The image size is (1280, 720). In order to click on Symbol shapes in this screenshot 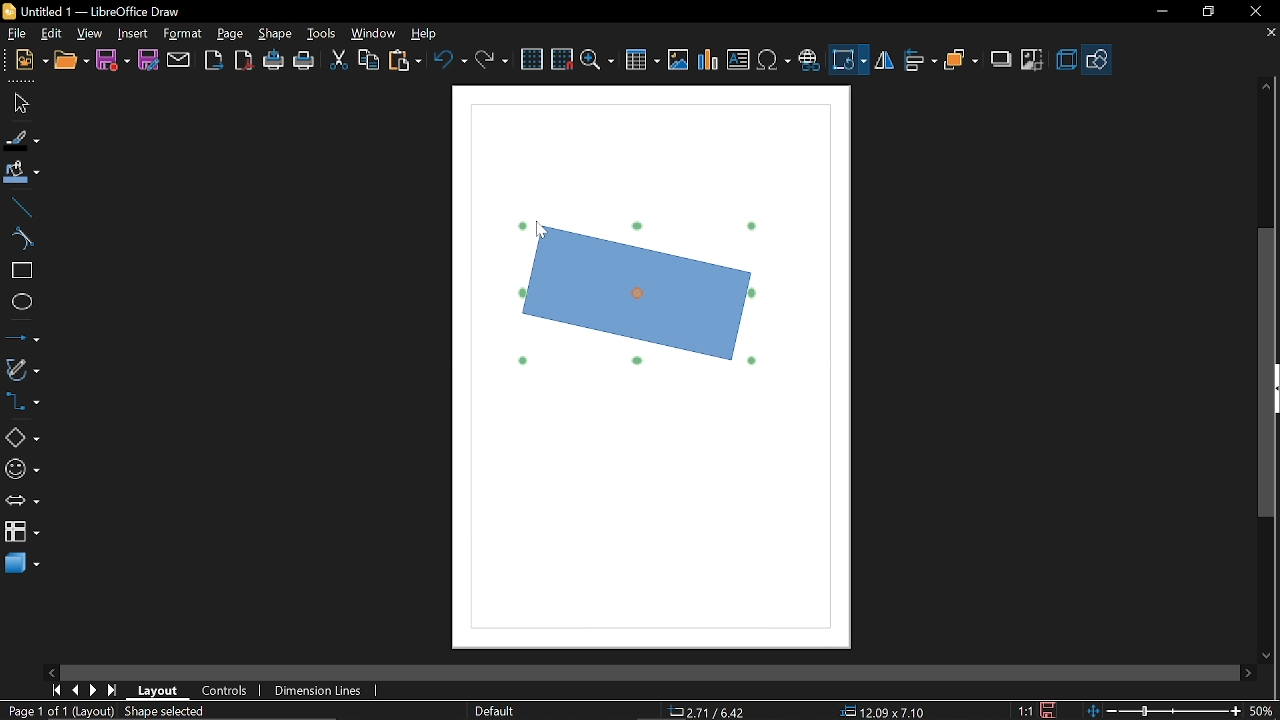, I will do `click(21, 470)`.